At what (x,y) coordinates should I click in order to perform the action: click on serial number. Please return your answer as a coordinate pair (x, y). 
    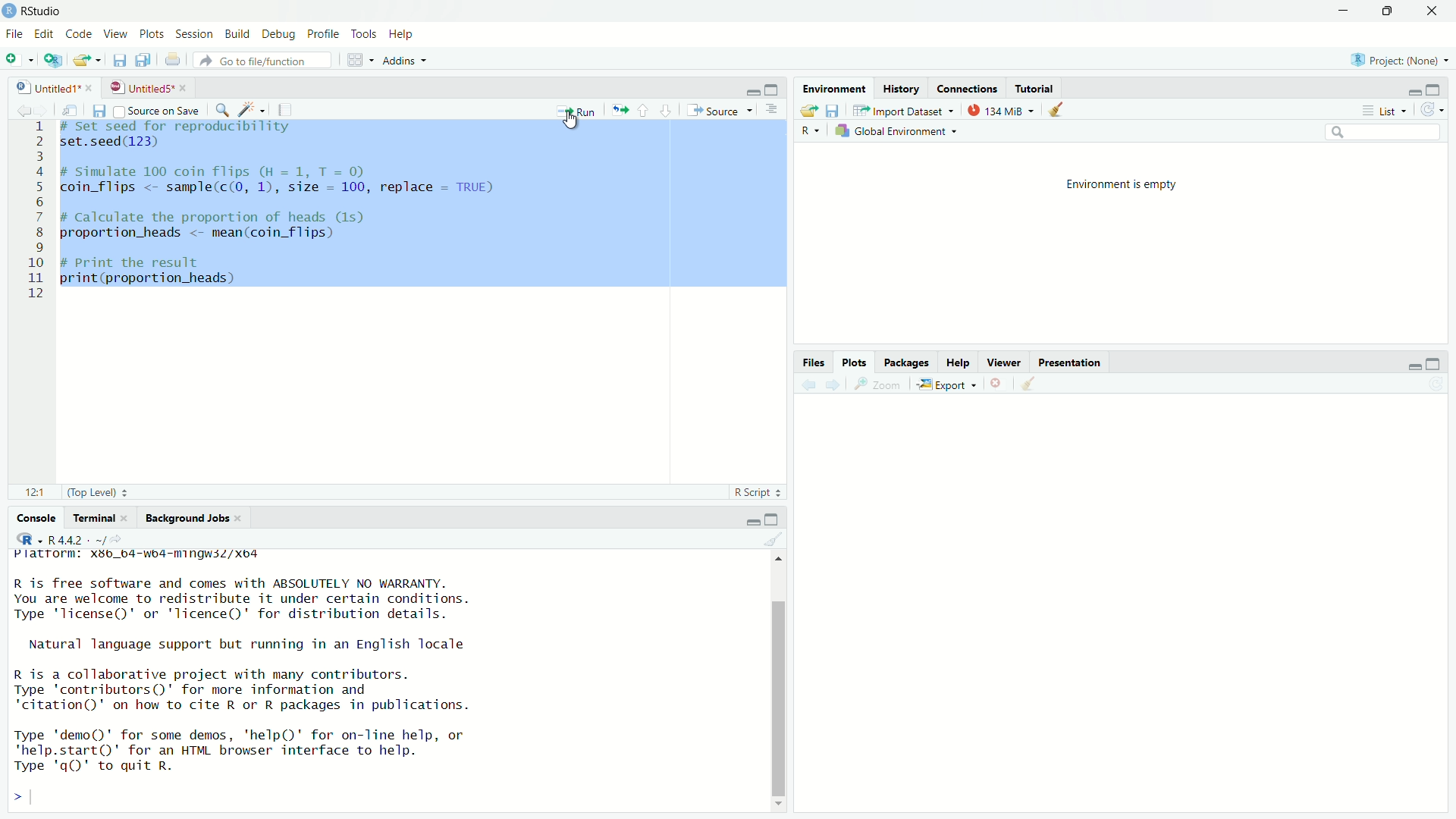
    Looking at the image, I should click on (35, 215).